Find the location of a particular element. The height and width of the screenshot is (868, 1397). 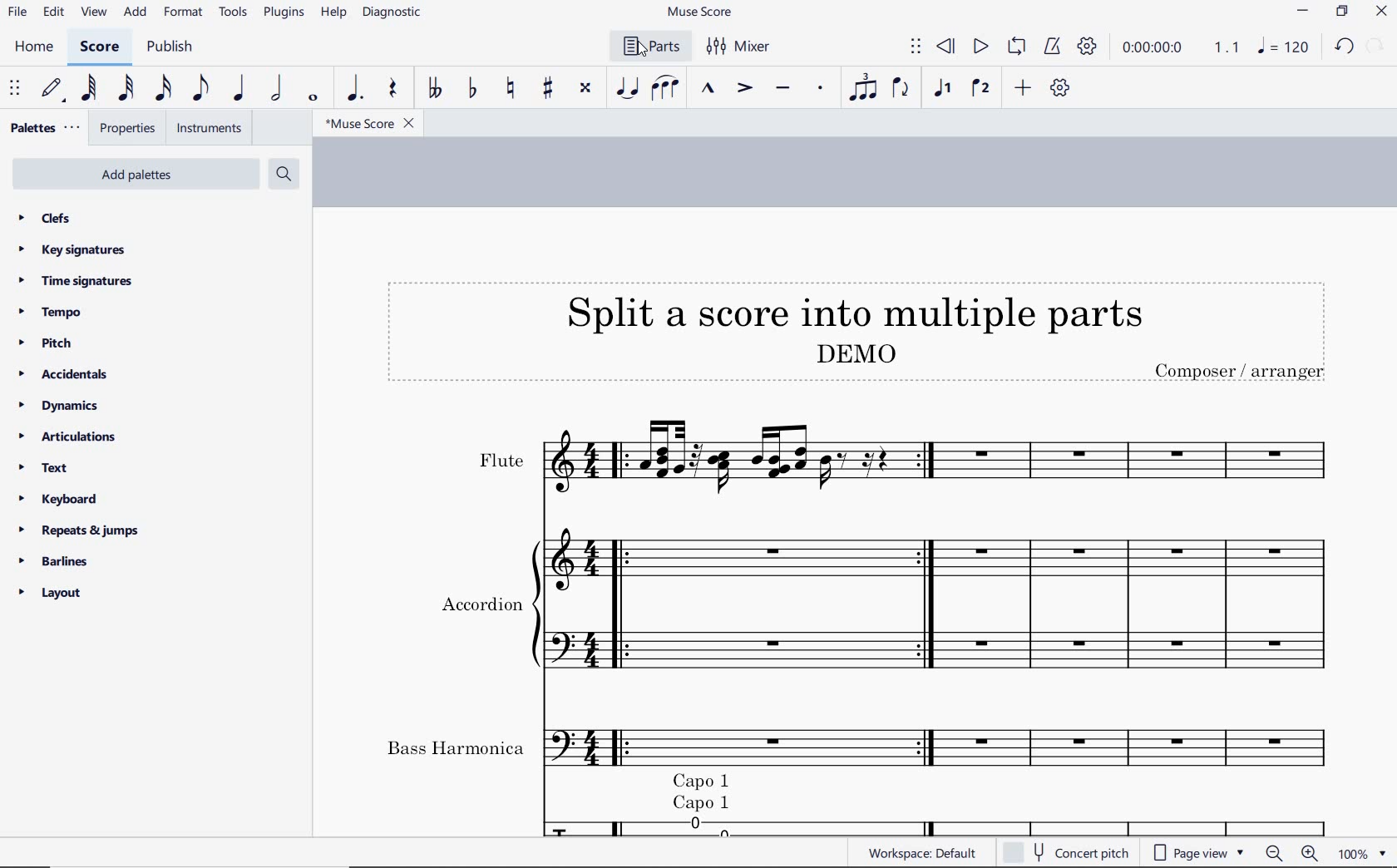

articulations is located at coordinates (65, 438).